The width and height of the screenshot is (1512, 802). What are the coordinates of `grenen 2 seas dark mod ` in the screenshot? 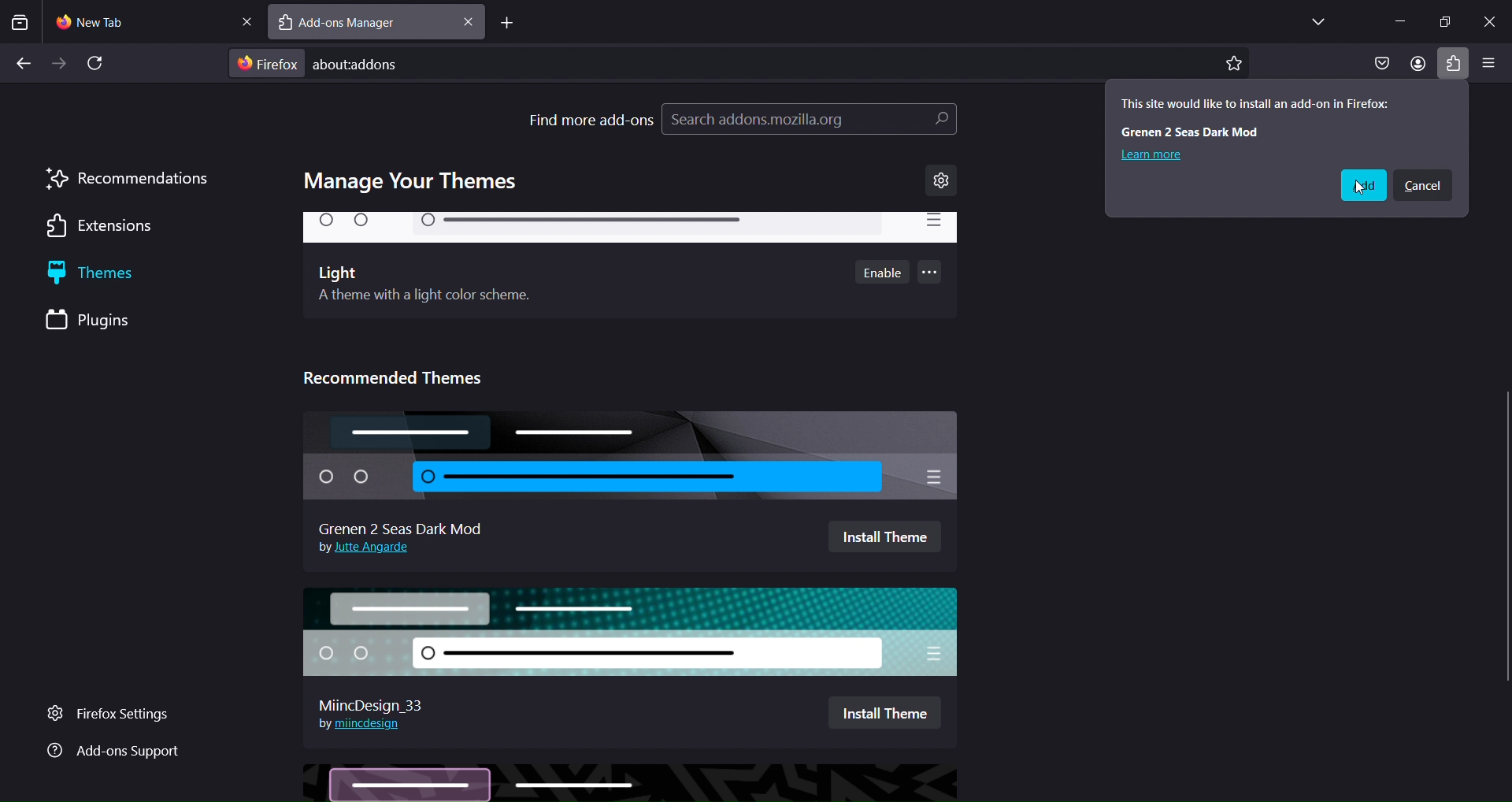 It's located at (402, 525).